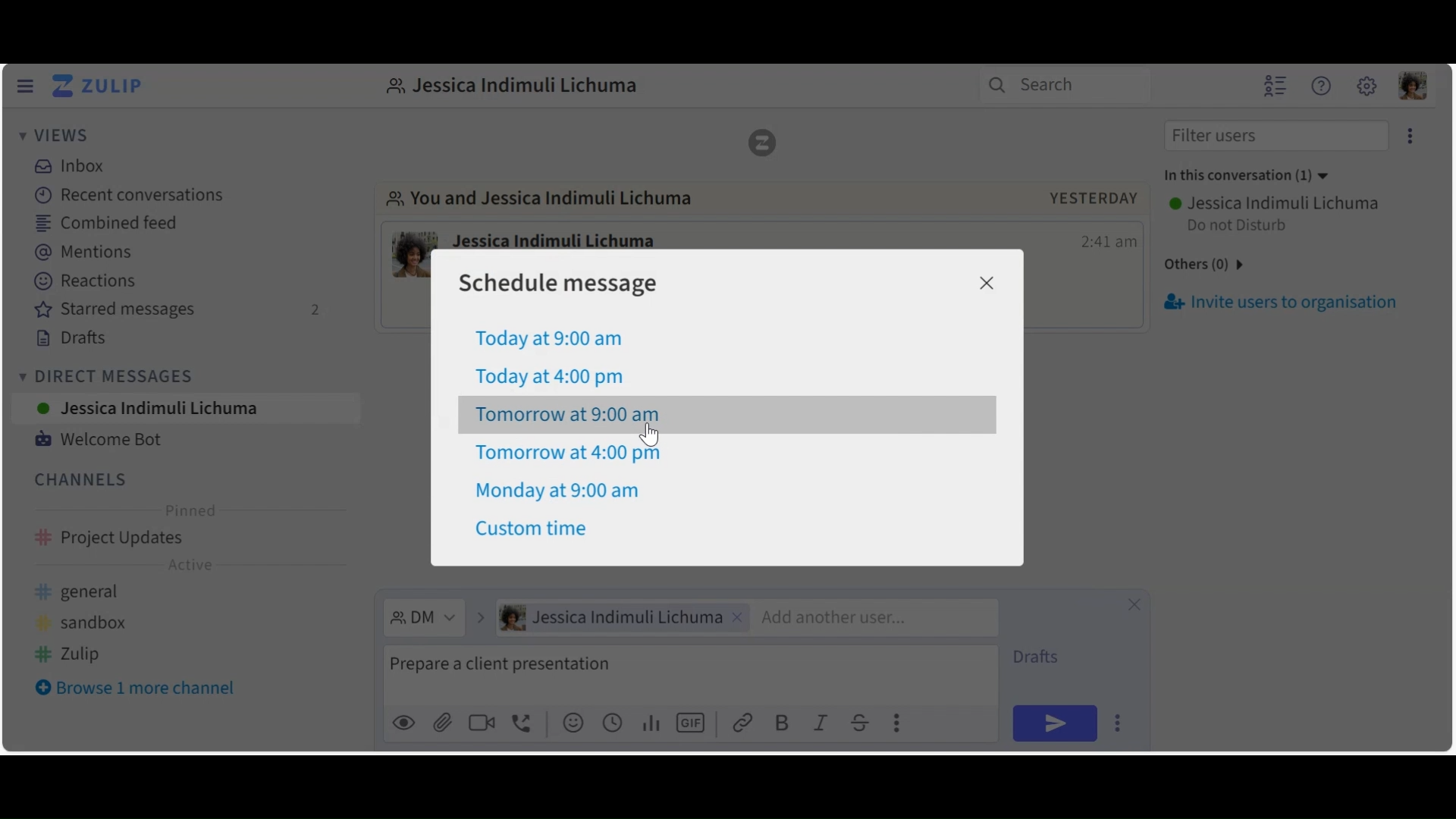 The height and width of the screenshot is (819, 1456). Describe the element at coordinates (110, 222) in the screenshot. I see `Combined feed` at that location.